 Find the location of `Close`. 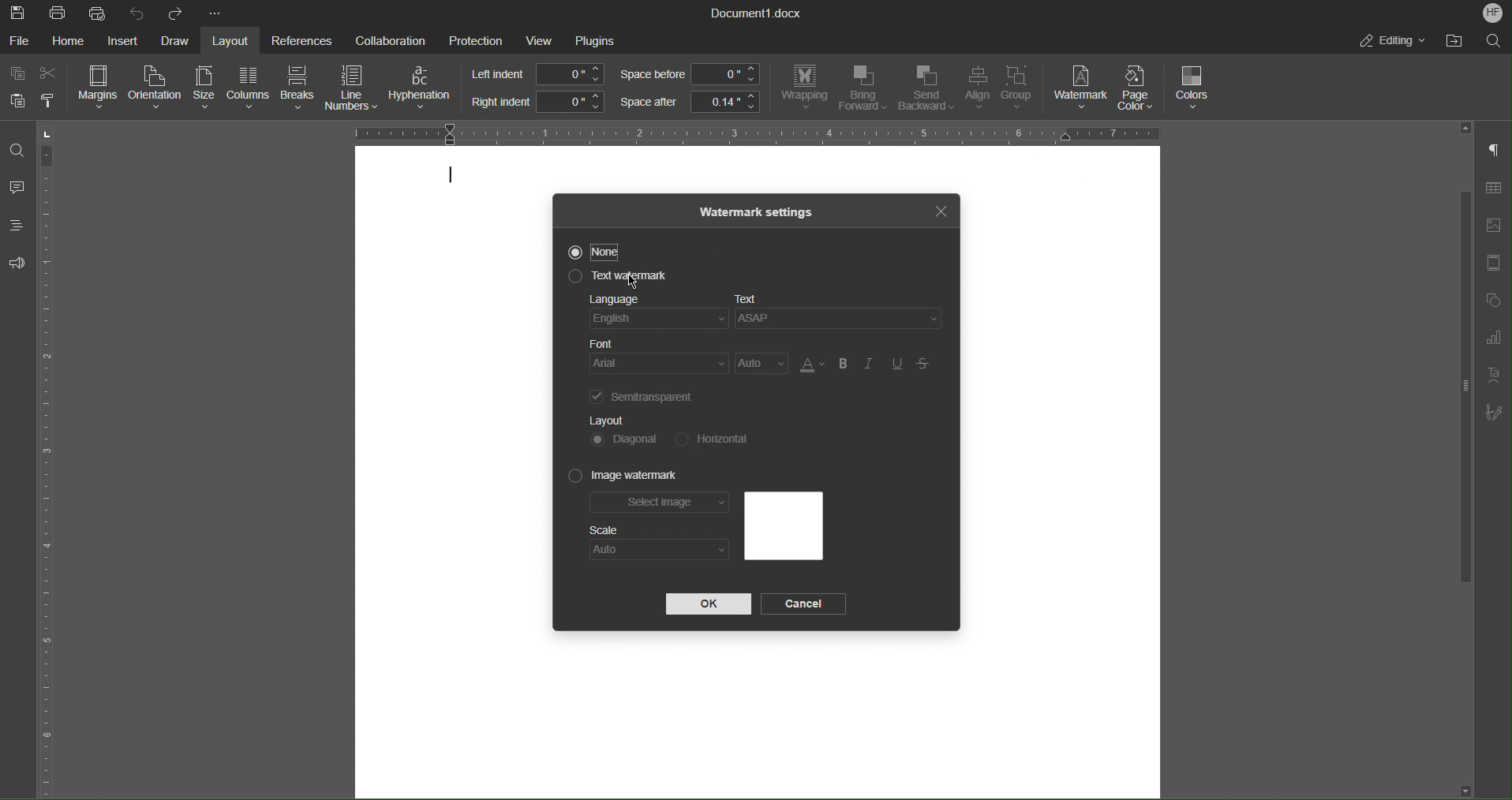

Close is located at coordinates (940, 209).